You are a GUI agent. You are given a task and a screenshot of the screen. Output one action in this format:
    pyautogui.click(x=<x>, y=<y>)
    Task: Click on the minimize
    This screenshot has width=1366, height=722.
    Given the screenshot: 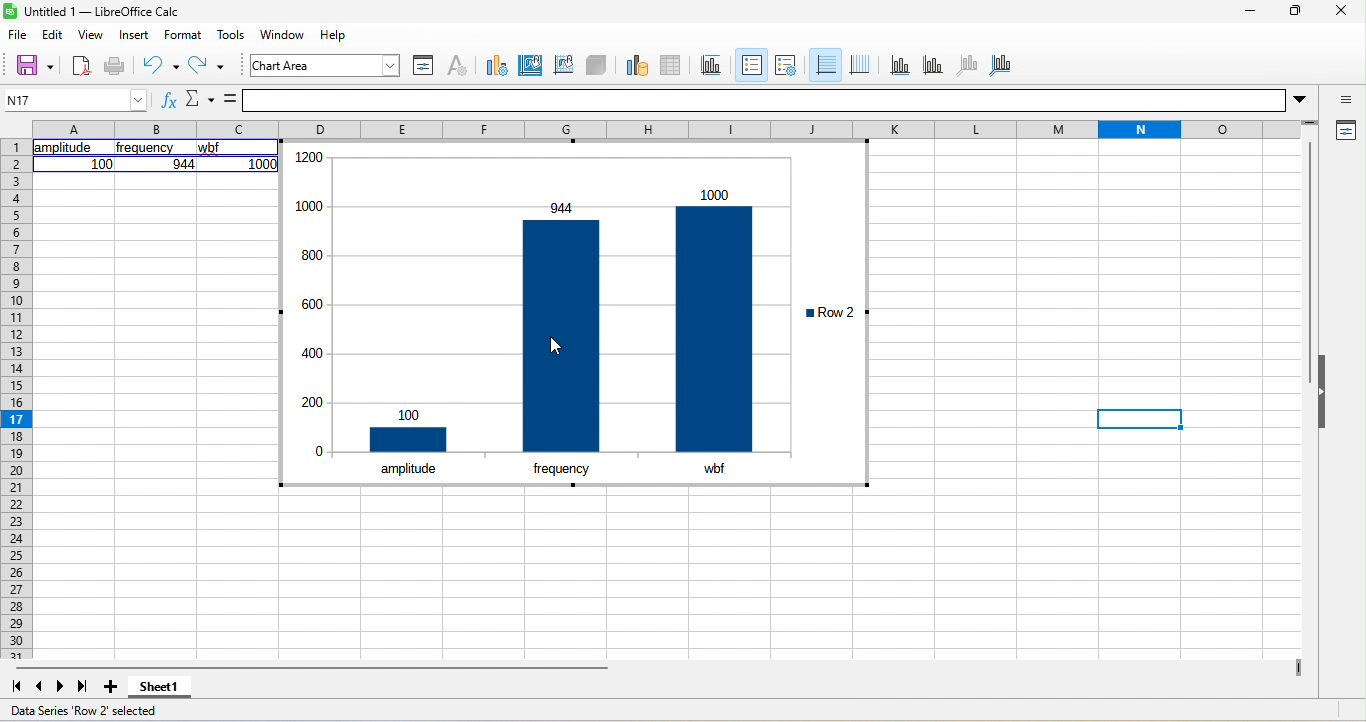 What is the action you would take?
    pyautogui.click(x=1248, y=10)
    